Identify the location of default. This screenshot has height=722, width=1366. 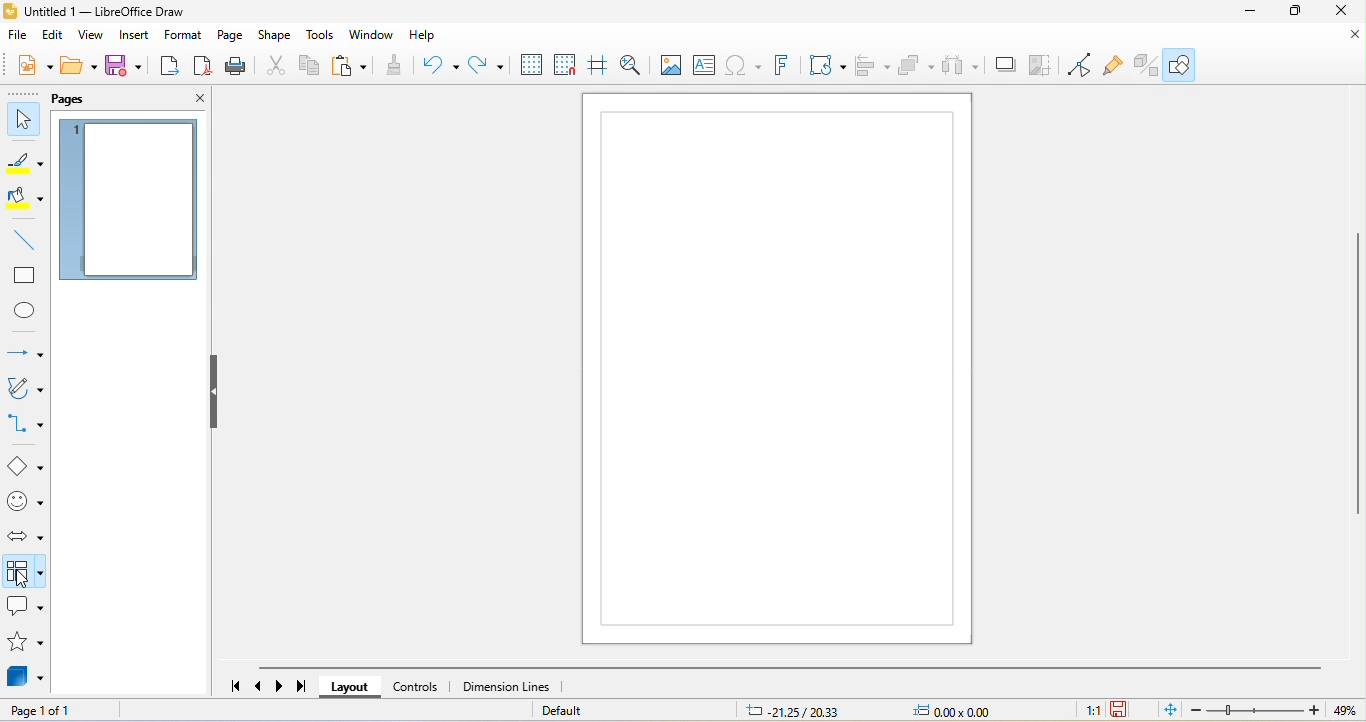
(579, 710).